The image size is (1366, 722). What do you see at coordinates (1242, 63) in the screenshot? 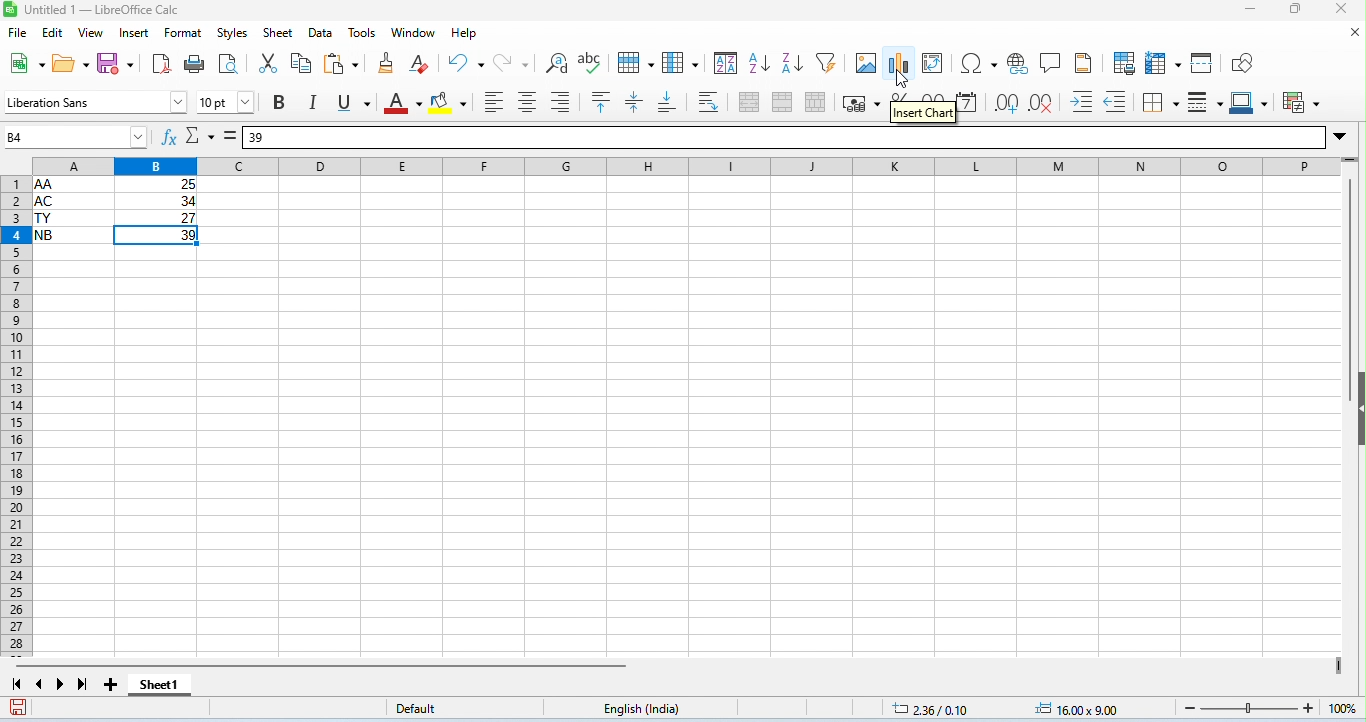
I see `show draw functions` at bounding box center [1242, 63].